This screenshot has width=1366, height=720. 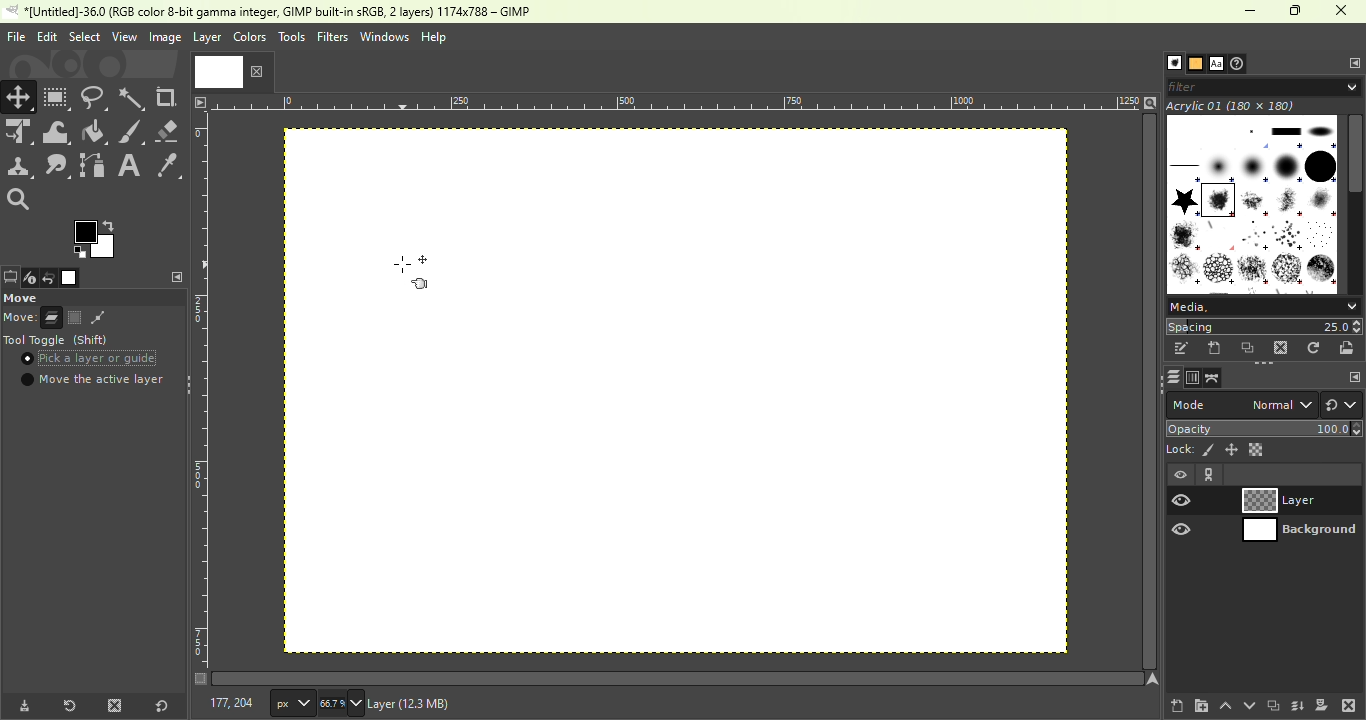 What do you see at coordinates (332, 37) in the screenshot?
I see `Filters` at bounding box center [332, 37].